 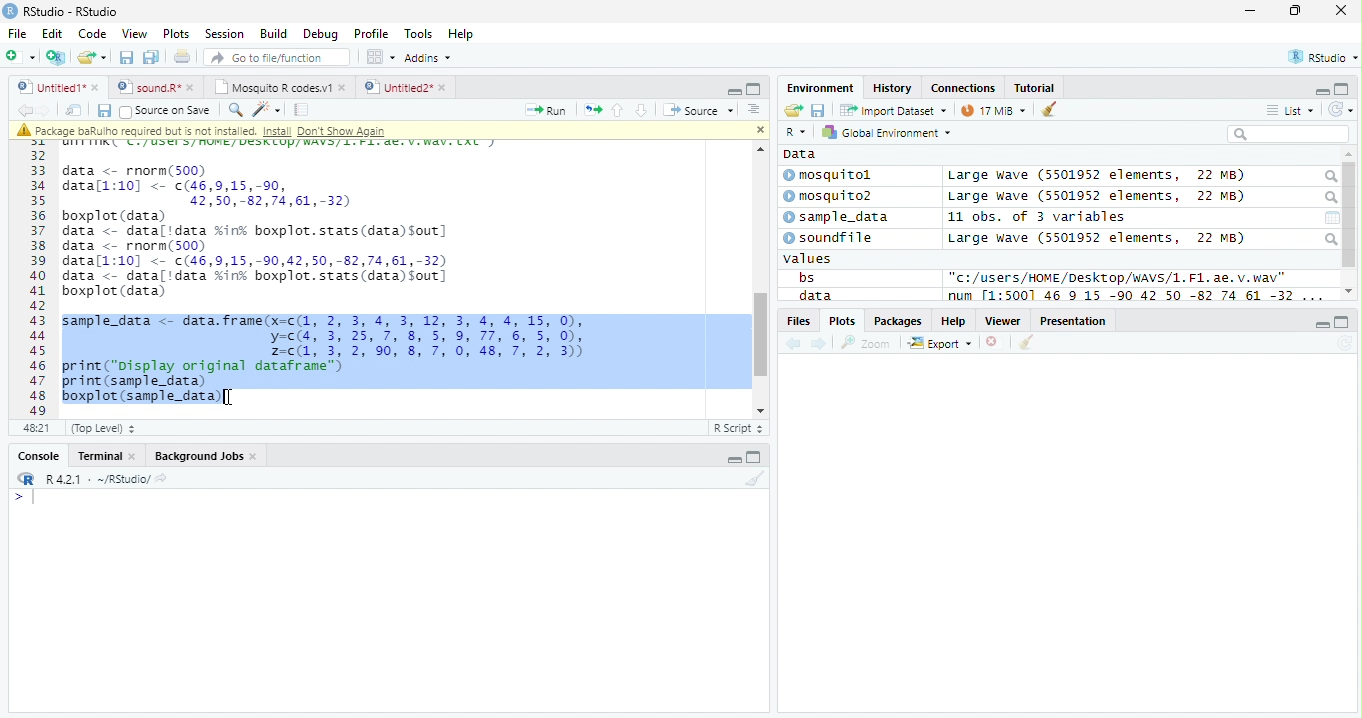 What do you see at coordinates (1342, 10) in the screenshot?
I see `closse` at bounding box center [1342, 10].